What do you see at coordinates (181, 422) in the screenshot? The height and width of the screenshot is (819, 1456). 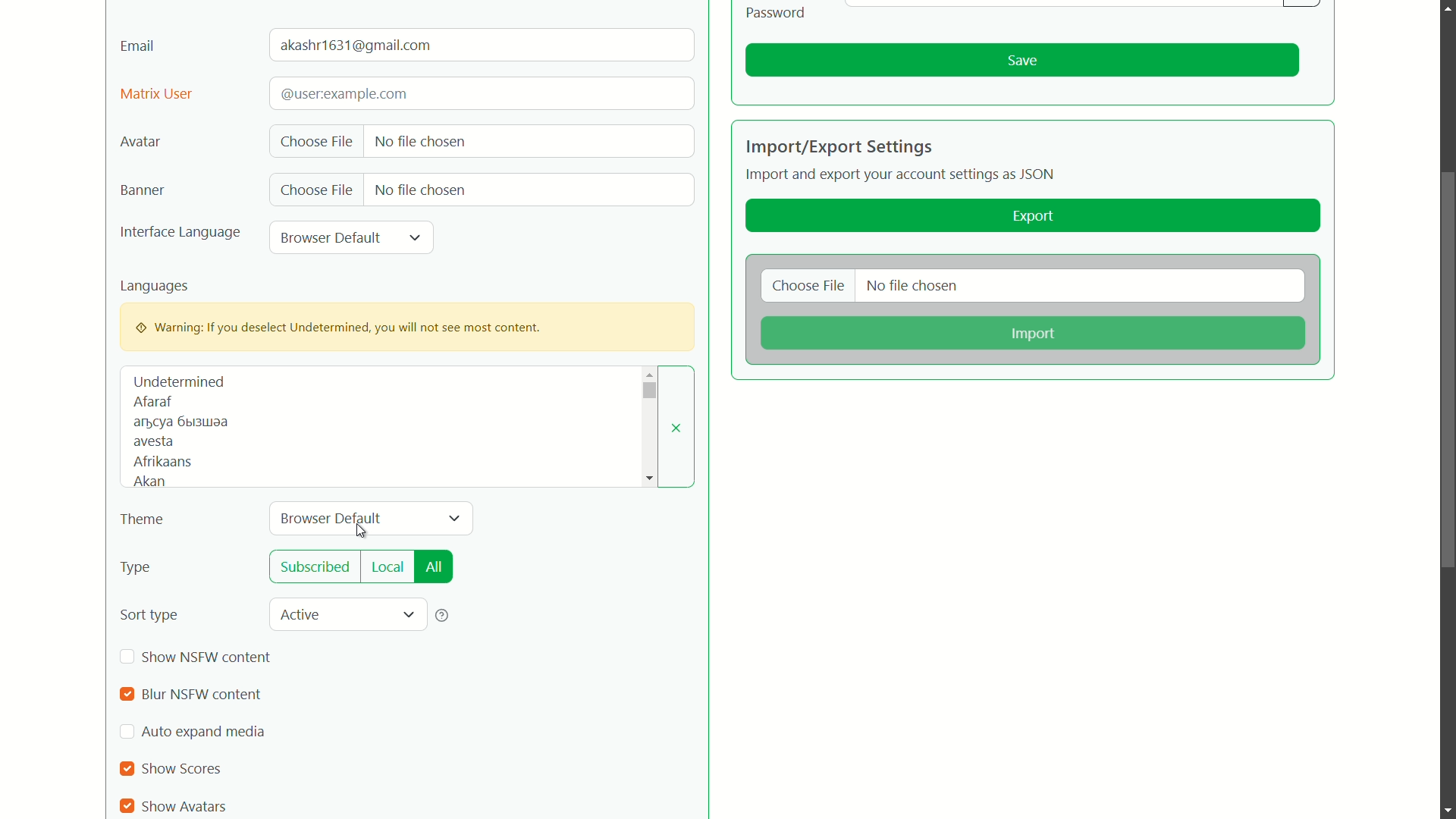 I see `text` at bounding box center [181, 422].